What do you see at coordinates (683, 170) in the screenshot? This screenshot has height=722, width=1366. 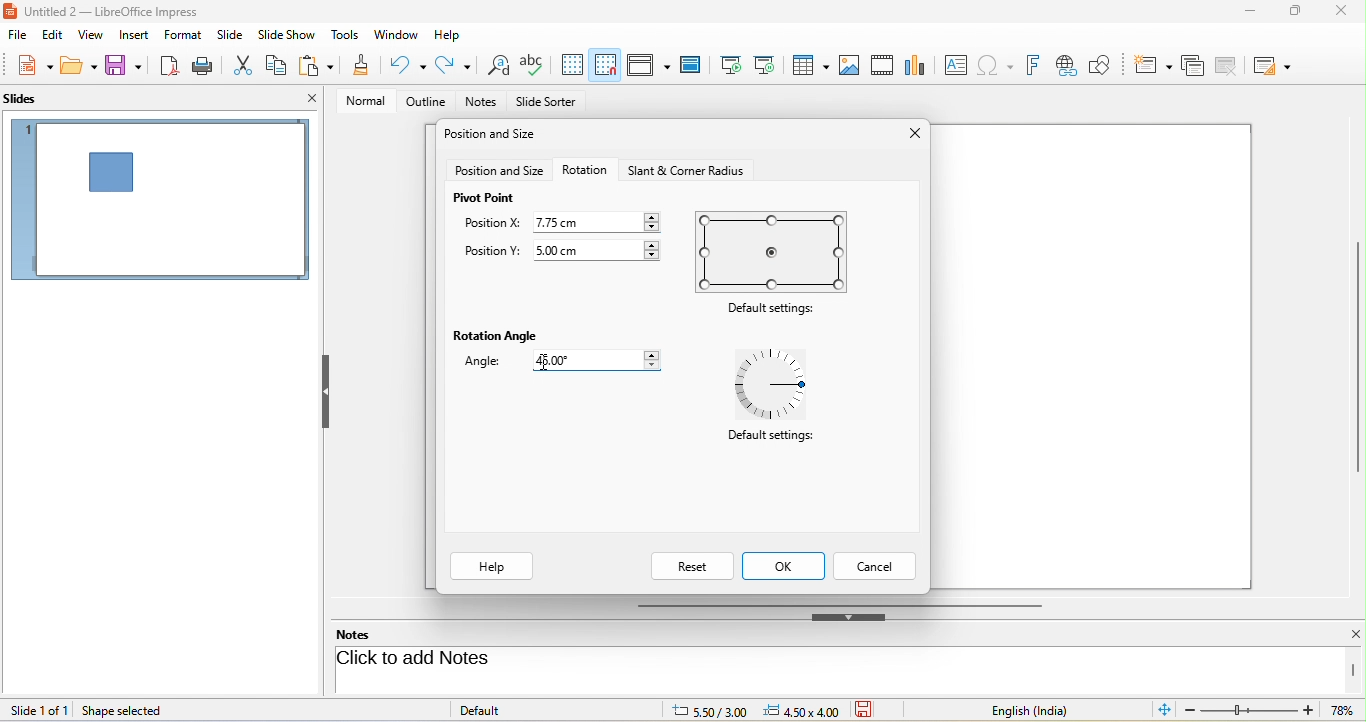 I see `slant and corner radius` at bounding box center [683, 170].